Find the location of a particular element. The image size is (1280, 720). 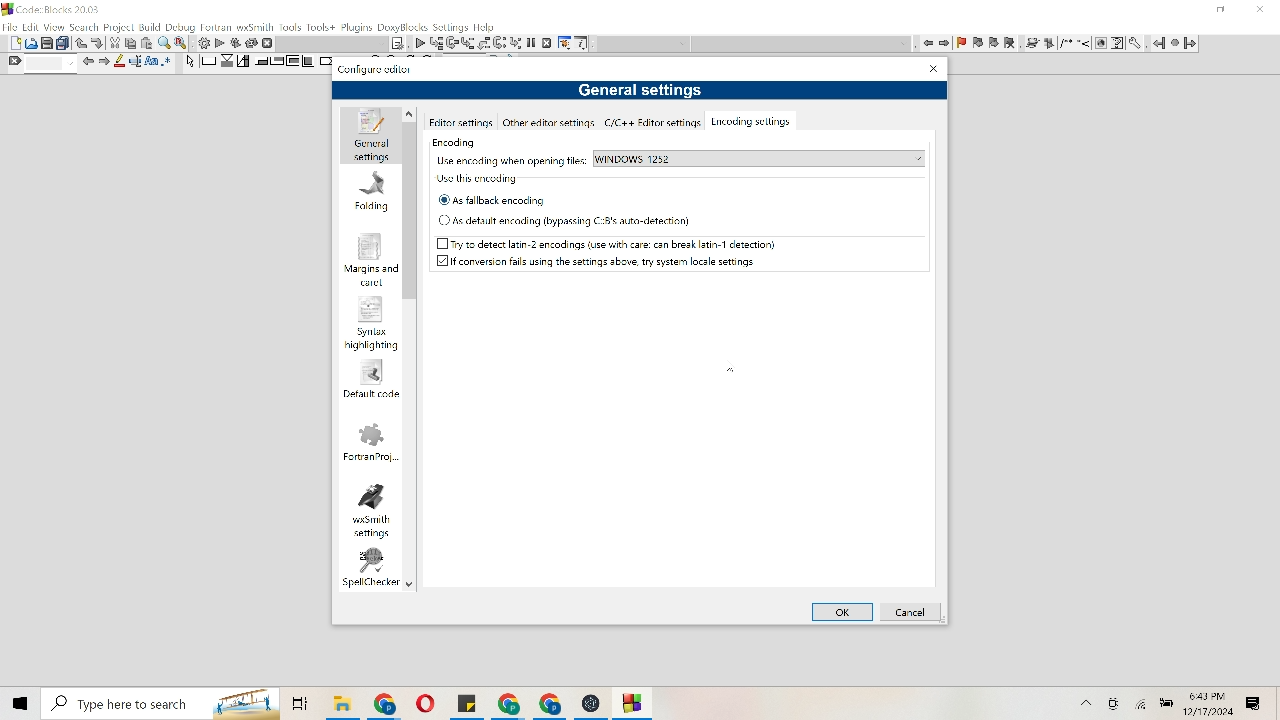

Pause is located at coordinates (530, 44).